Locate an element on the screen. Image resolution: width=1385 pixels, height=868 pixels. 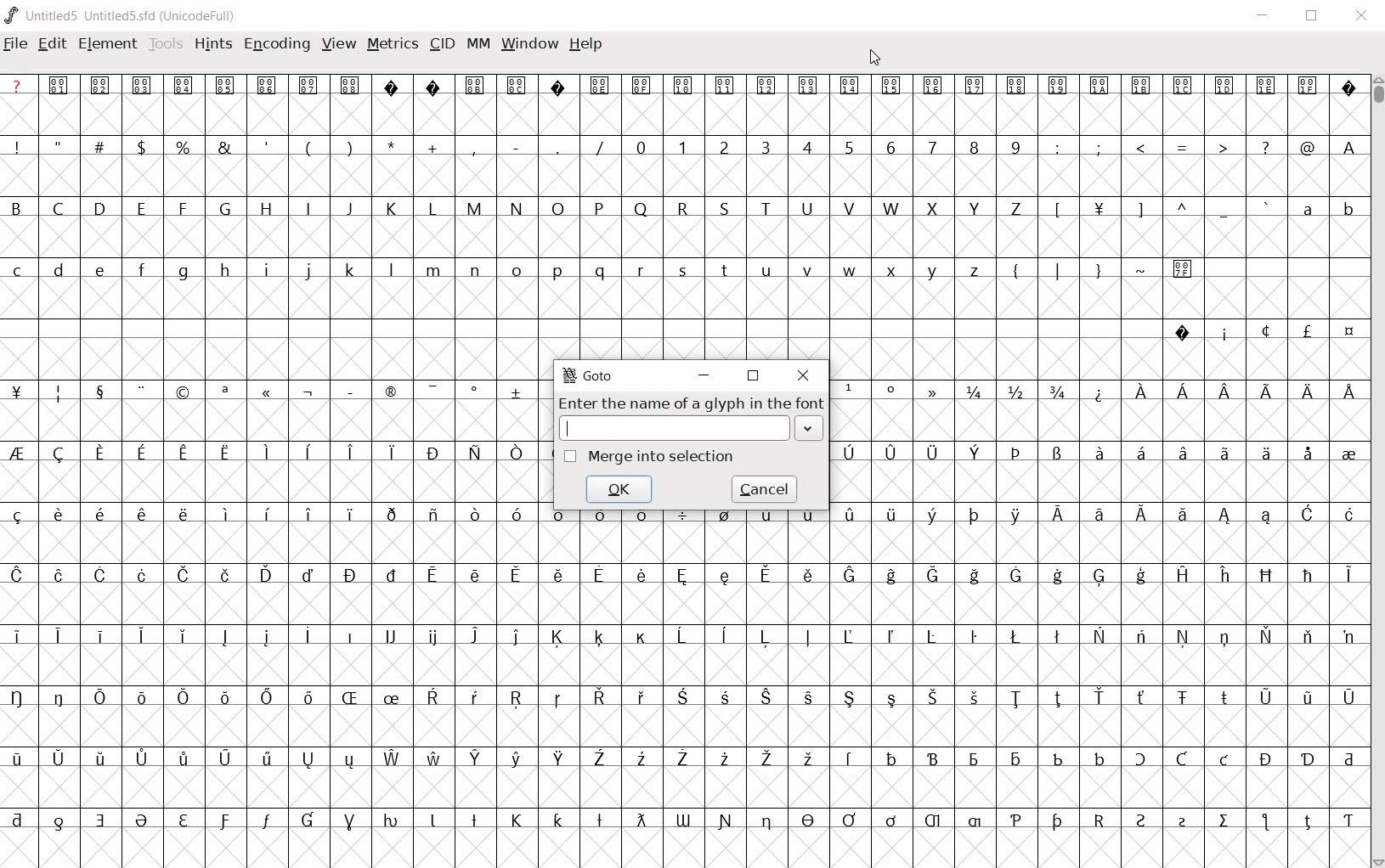
Symbol is located at coordinates (974, 85).